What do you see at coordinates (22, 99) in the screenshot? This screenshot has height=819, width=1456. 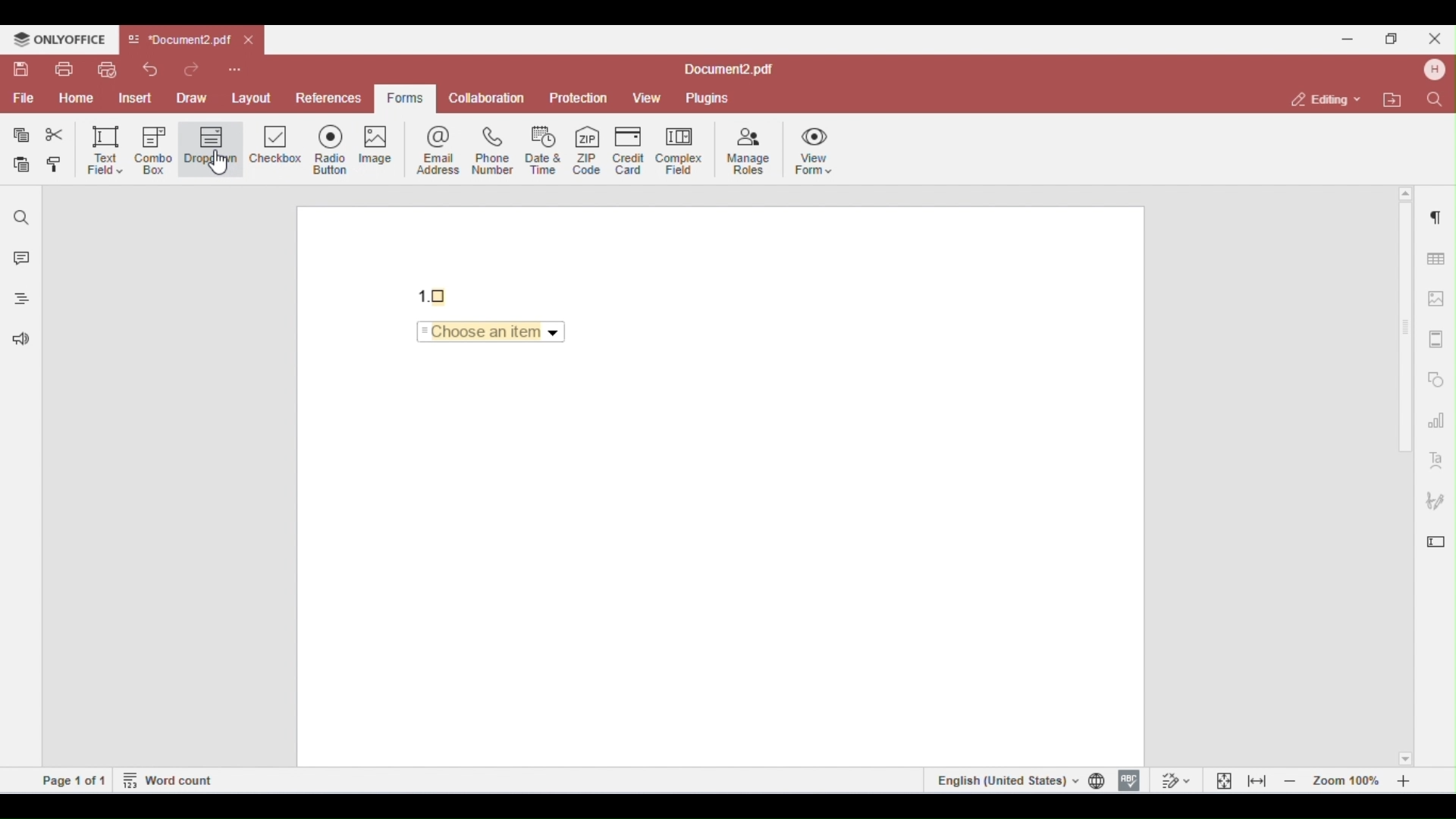 I see `file` at bounding box center [22, 99].